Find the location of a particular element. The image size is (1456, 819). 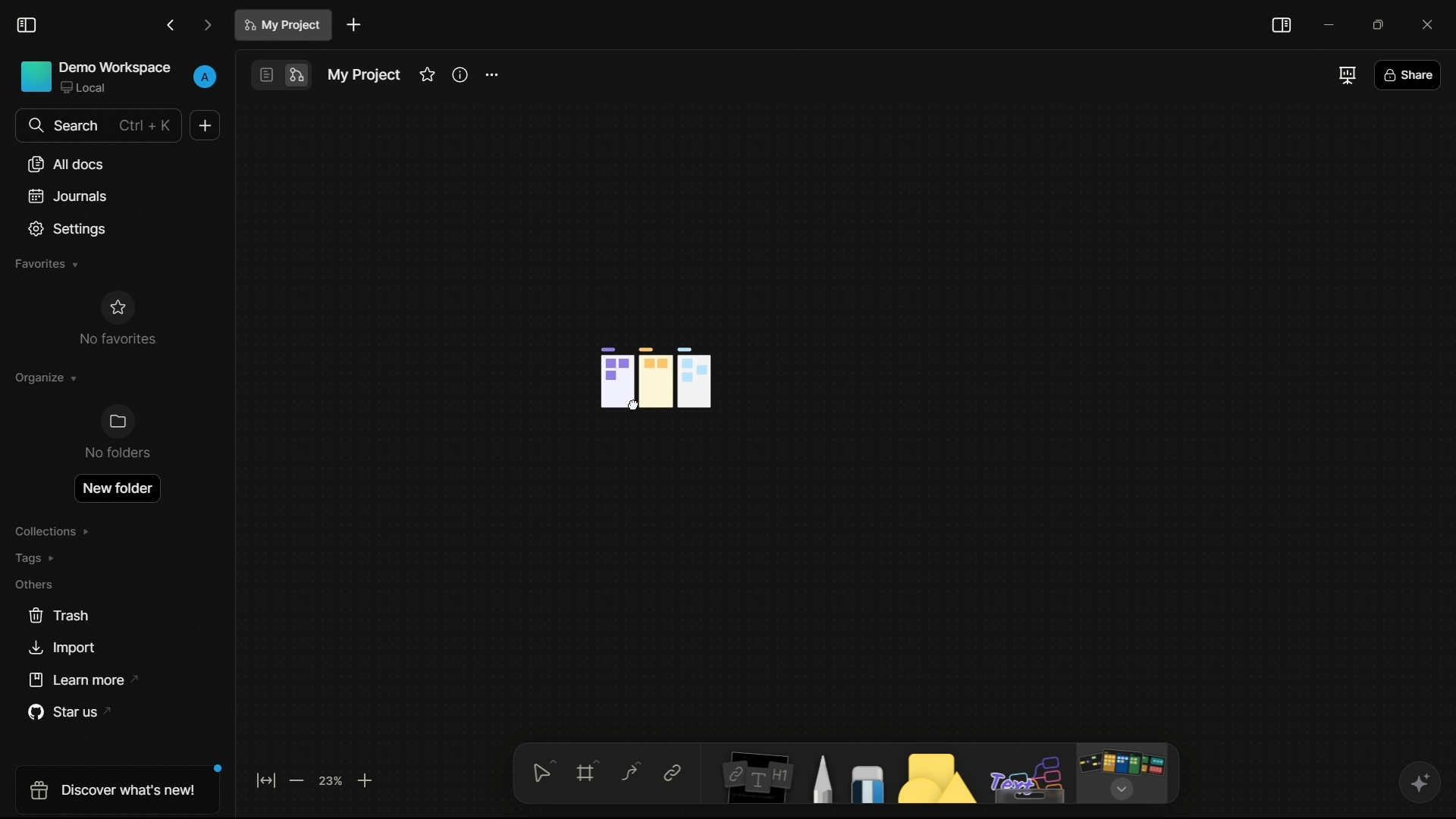

frames is located at coordinates (589, 770).